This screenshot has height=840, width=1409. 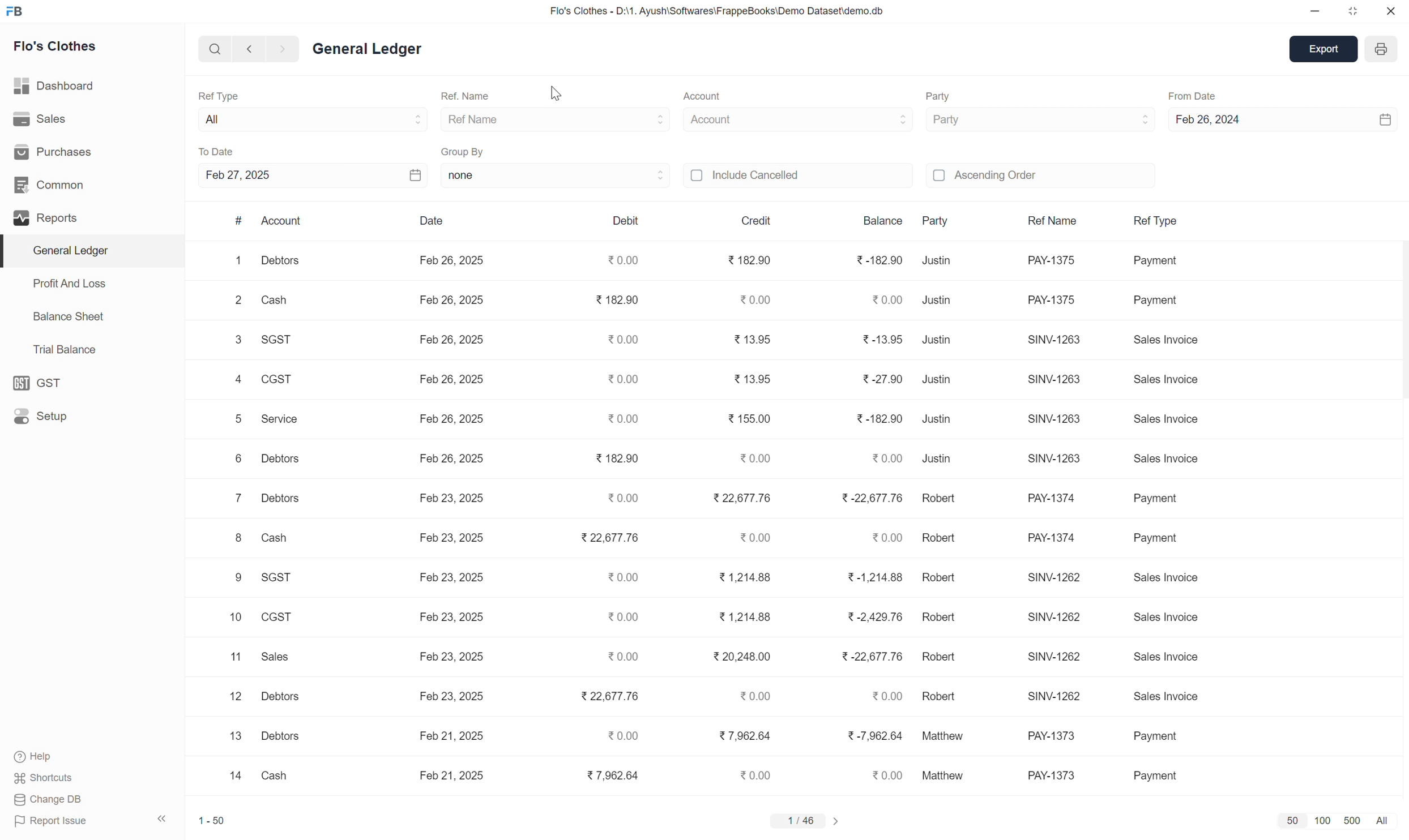 I want to click on 0.00, so click(x=887, y=696).